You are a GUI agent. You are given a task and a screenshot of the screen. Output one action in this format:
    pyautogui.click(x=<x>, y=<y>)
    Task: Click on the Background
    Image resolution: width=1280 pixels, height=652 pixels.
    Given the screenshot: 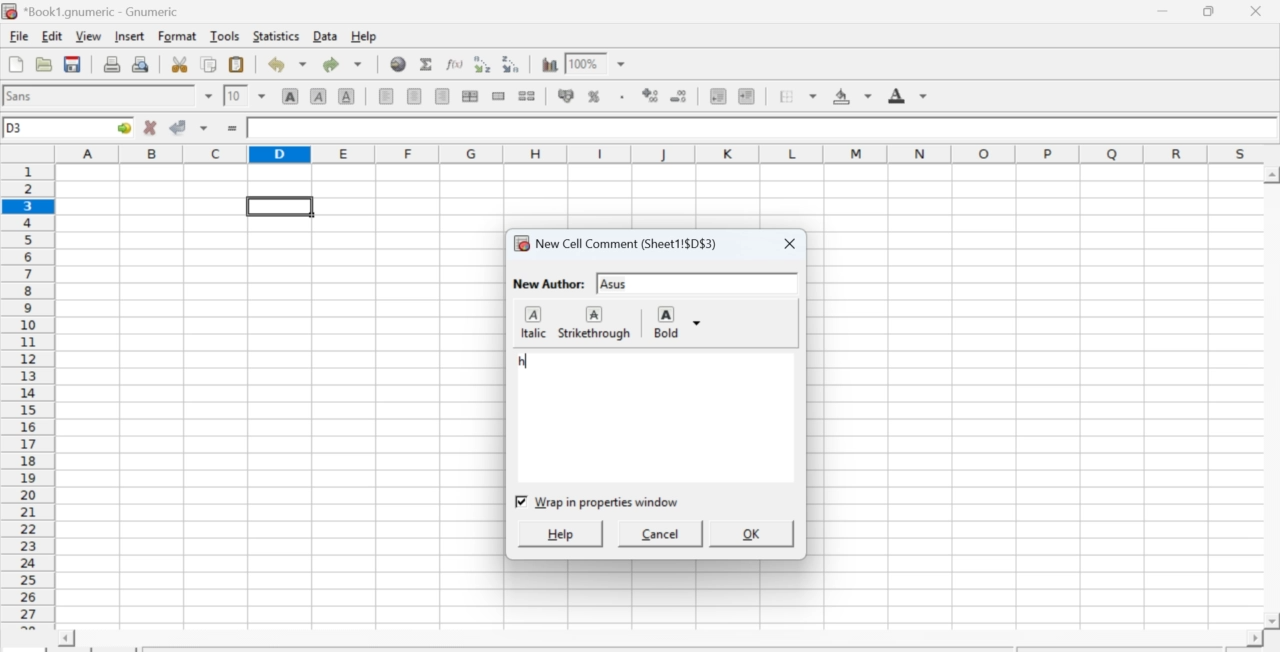 What is the action you would take?
    pyautogui.click(x=853, y=95)
    